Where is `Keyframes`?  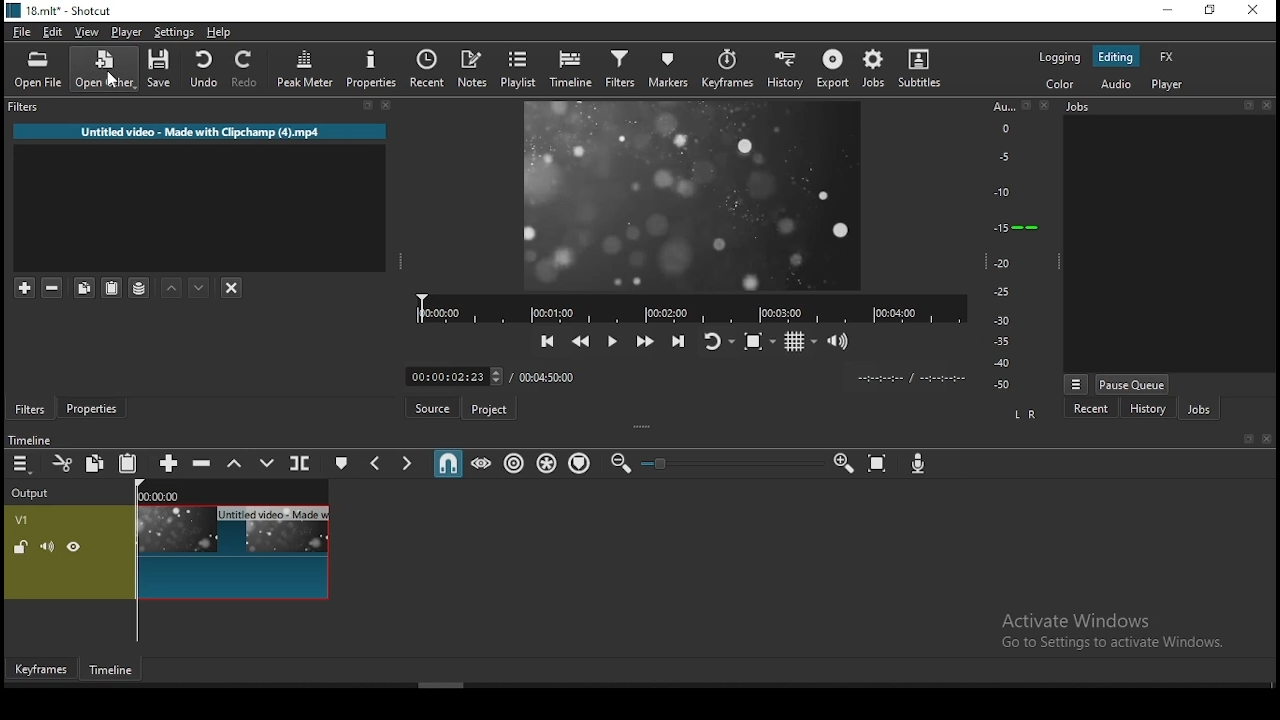 Keyframes is located at coordinates (39, 669).